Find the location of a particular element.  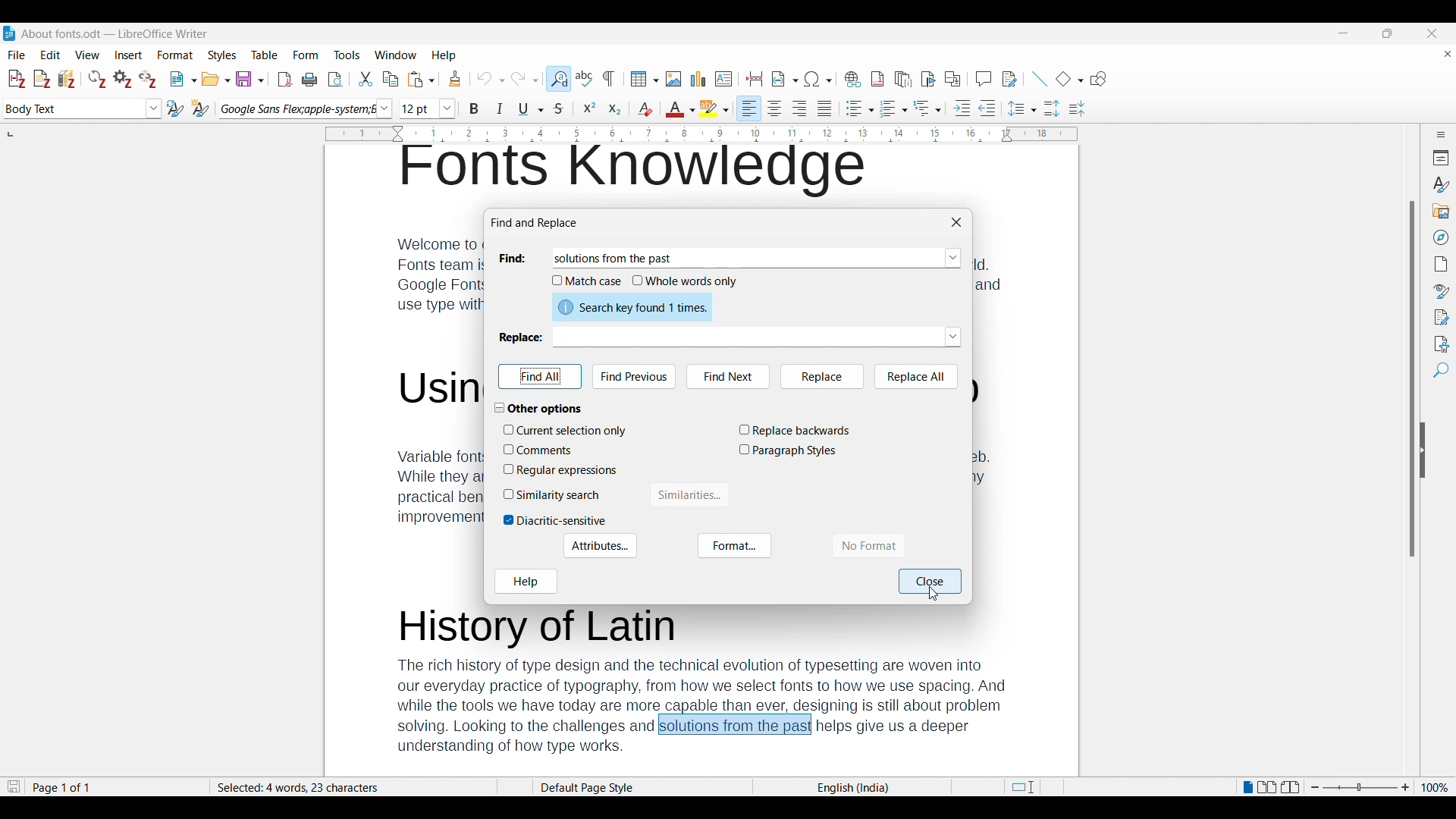

Close window is located at coordinates (956, 222).